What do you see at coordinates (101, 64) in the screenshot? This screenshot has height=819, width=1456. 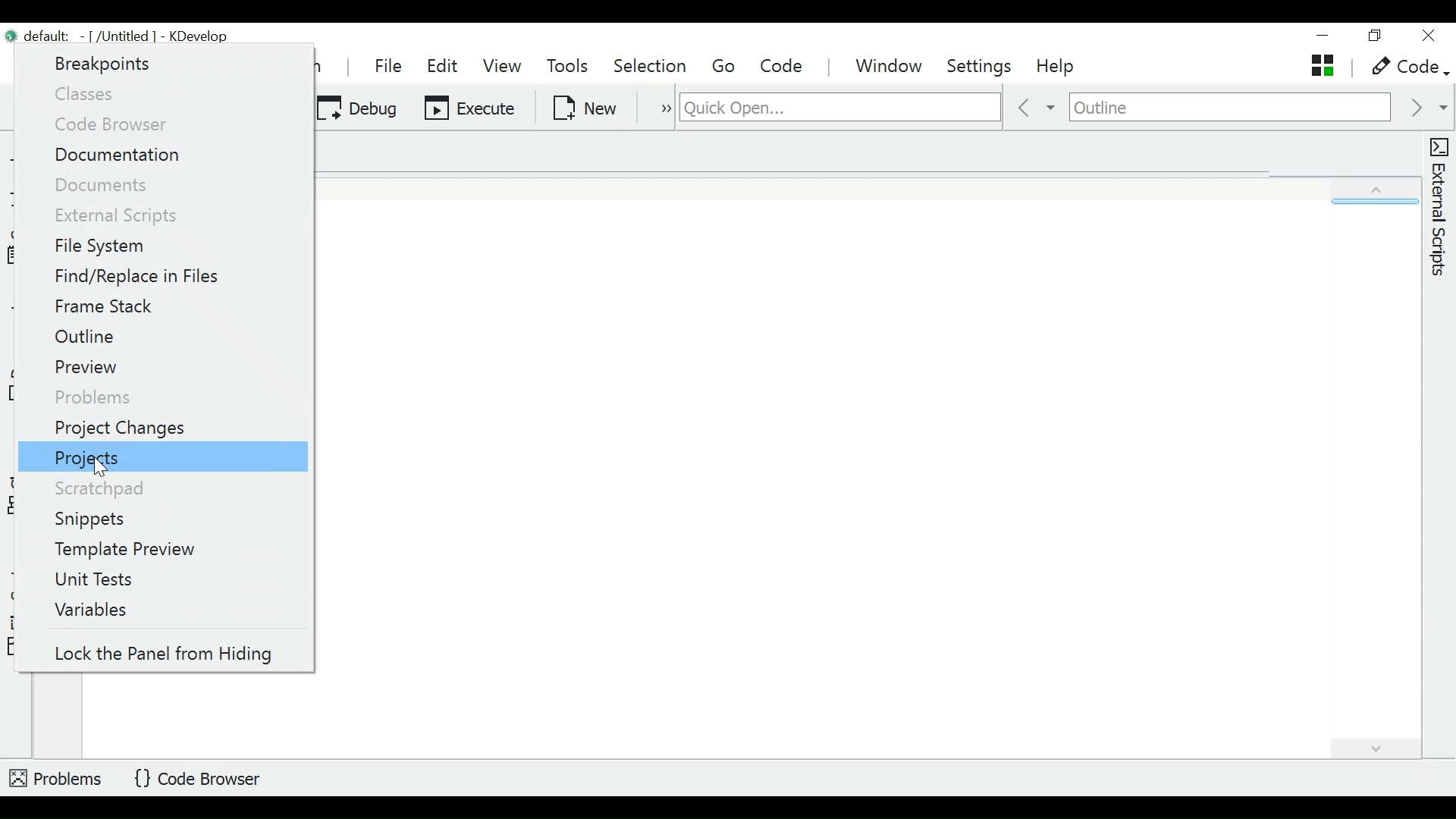 I see `Breakpoints` at bounding box center [101, 64].